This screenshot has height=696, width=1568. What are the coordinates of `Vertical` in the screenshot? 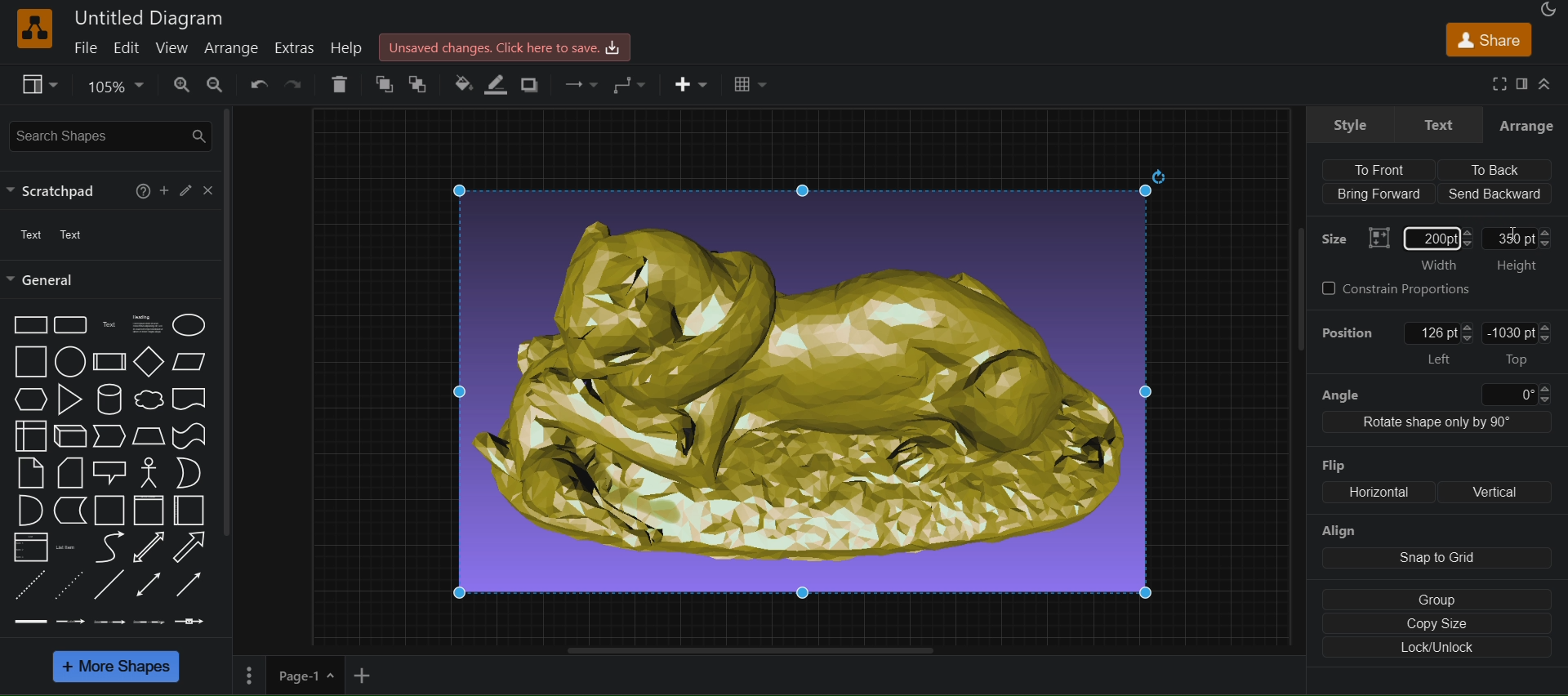 It's located at (1501, 490).